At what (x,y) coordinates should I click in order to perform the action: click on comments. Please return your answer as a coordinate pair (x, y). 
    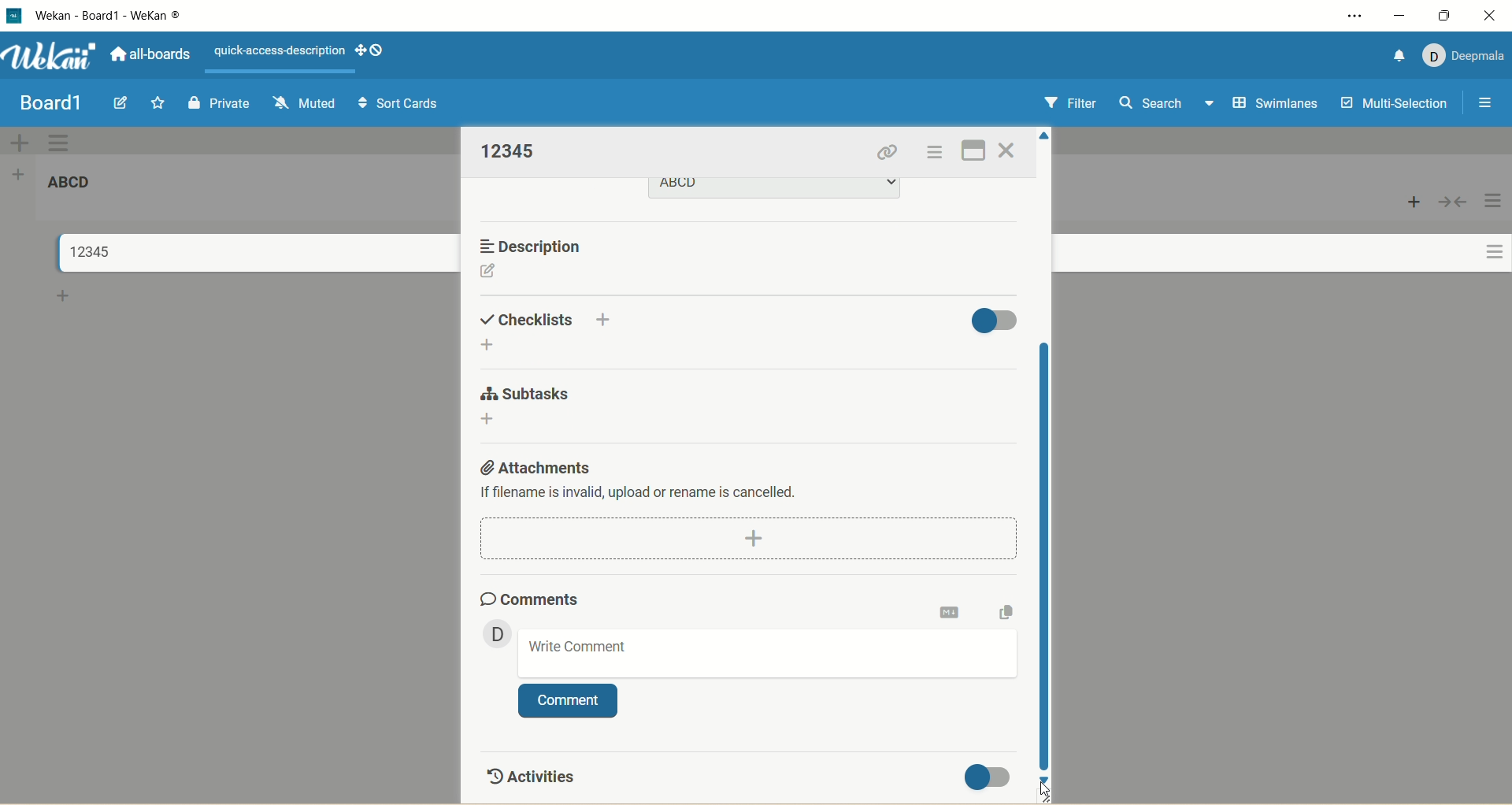
    Looking at the image, I should click on (528, 596).